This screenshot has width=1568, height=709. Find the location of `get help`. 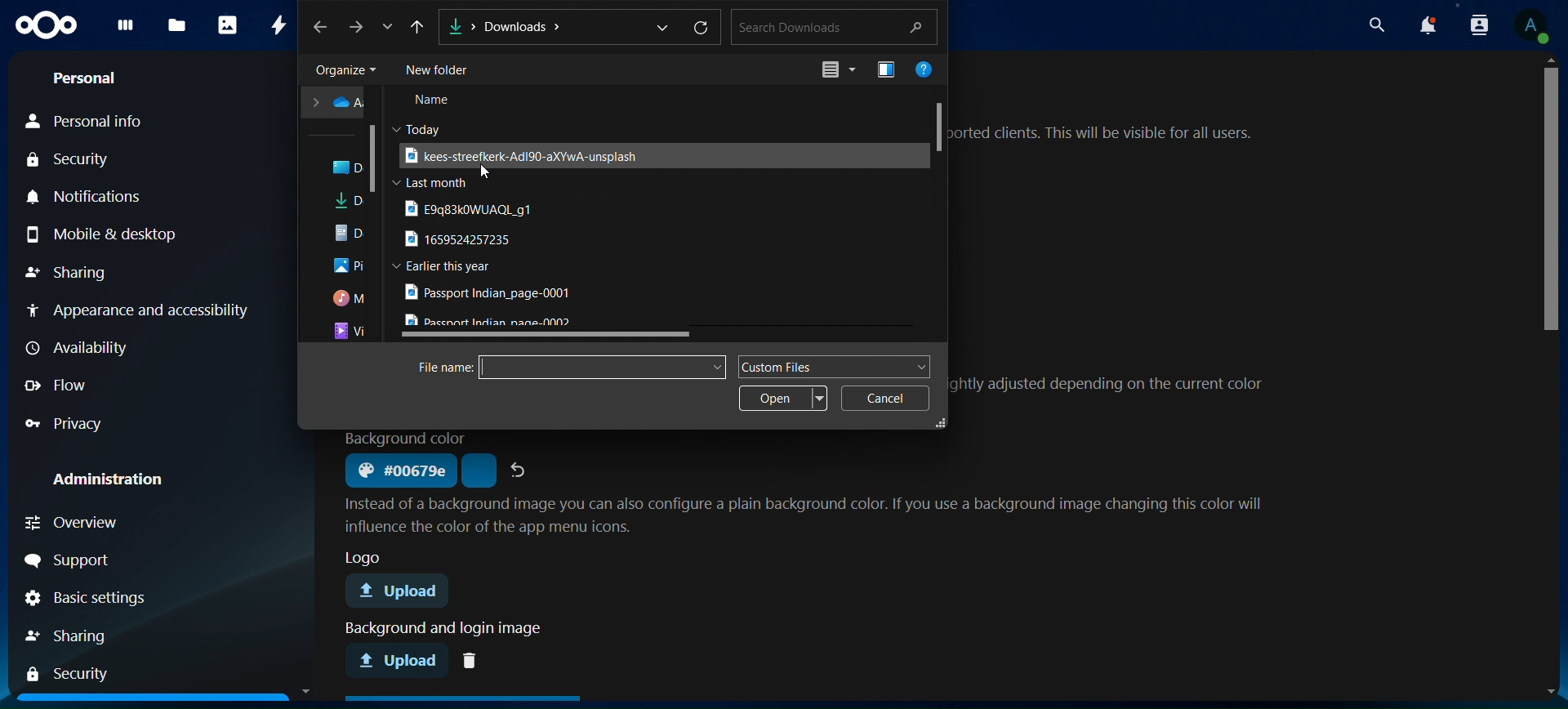

get help is located at coordinates (927, 71).